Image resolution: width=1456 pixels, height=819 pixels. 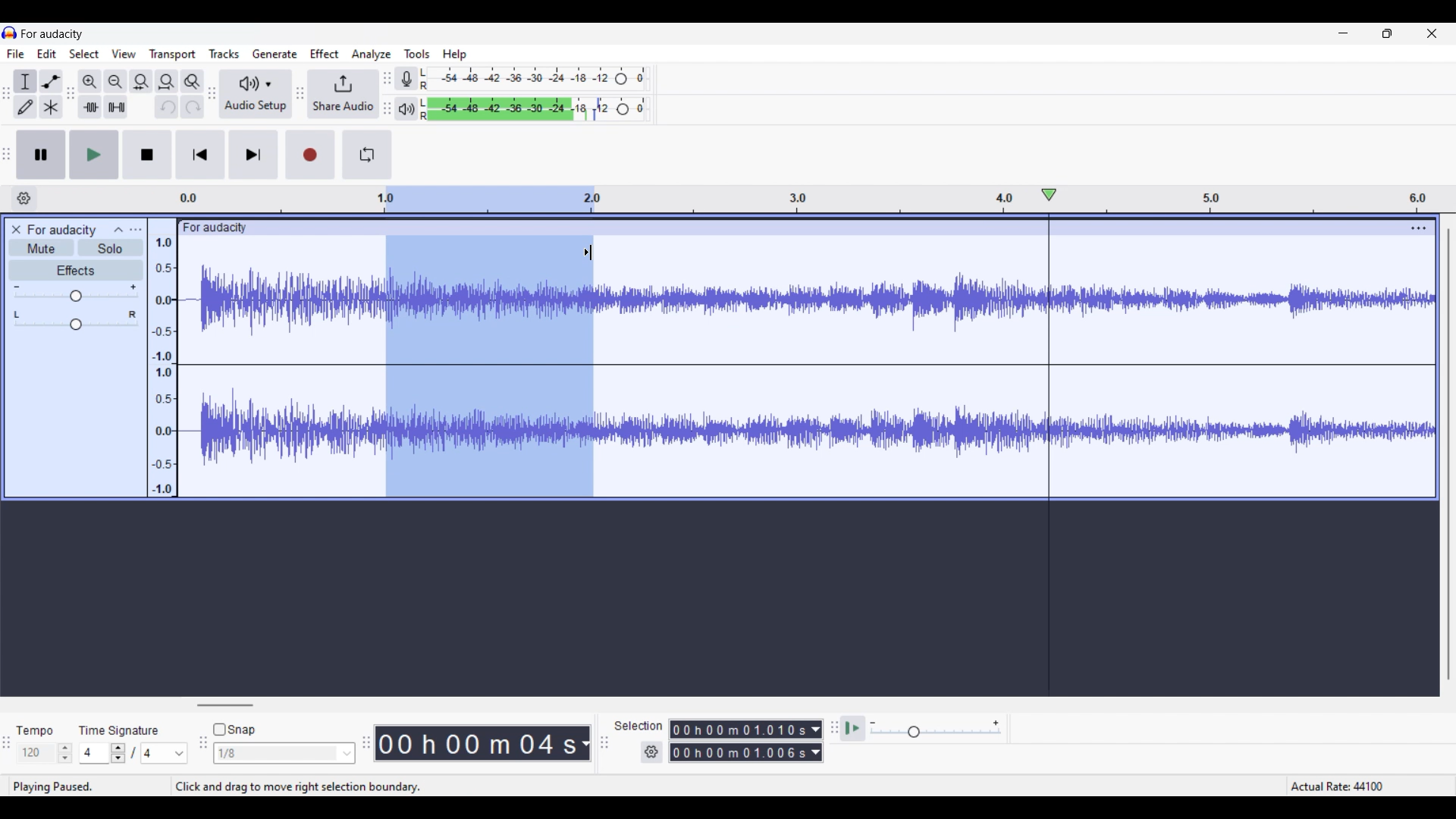 What do you see at coordinates (454, 55) in the screenshot?
I see `Help menu` at bounding box center [454, 55].